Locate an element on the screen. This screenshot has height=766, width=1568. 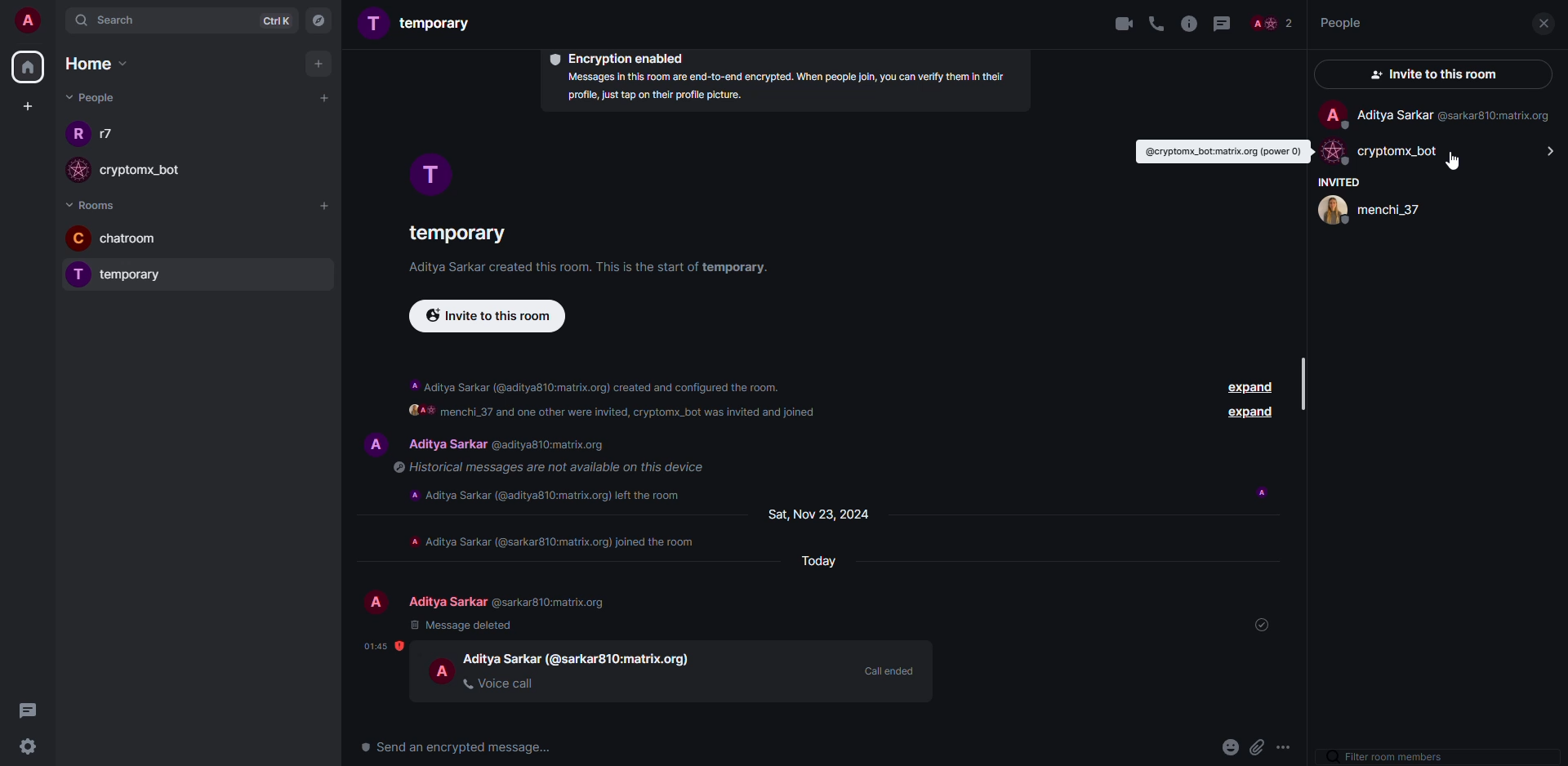
navigator is located at coordinates (320, 20).